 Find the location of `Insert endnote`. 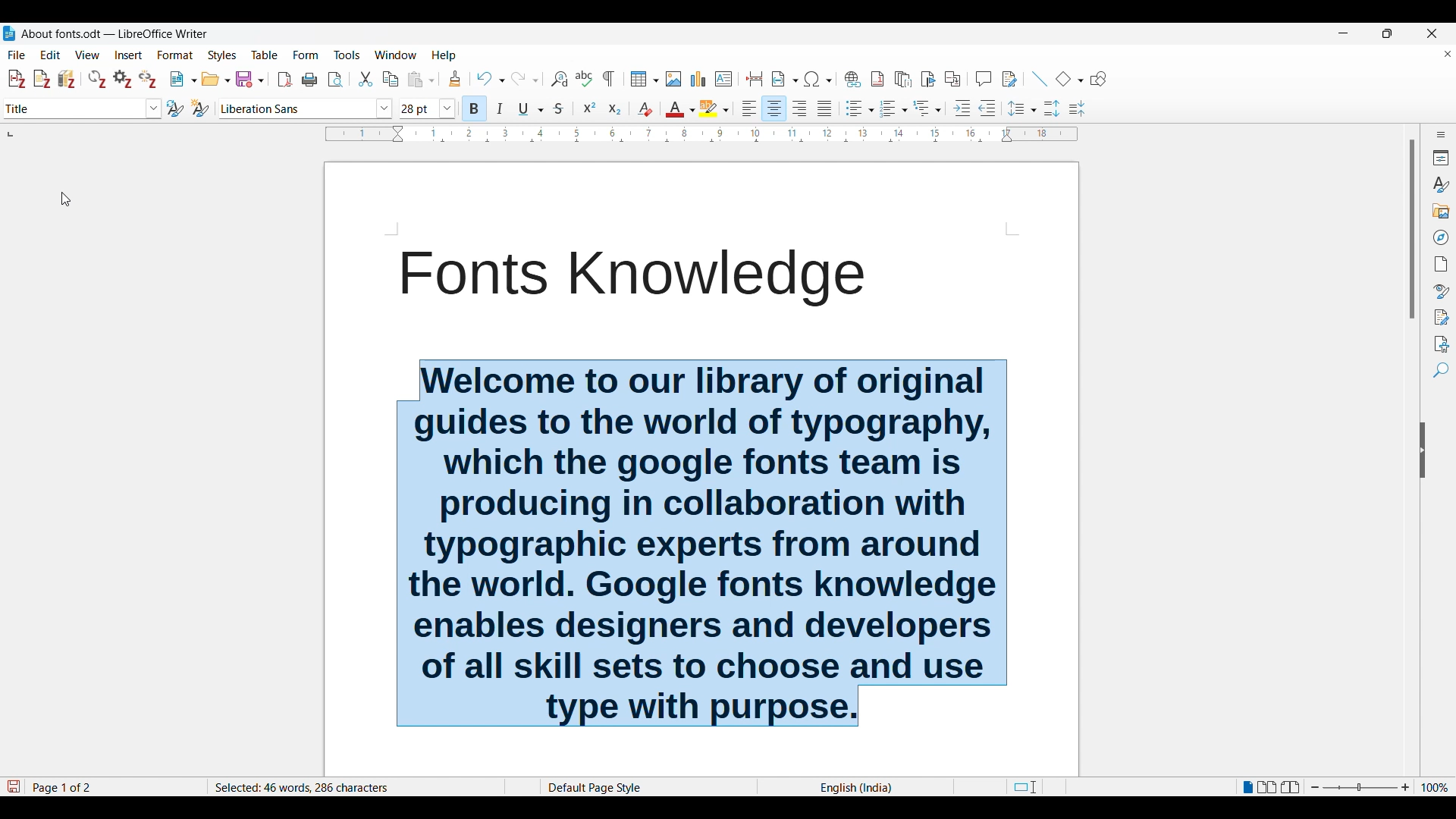

Insert endnote is located at coordinates (903, 79).